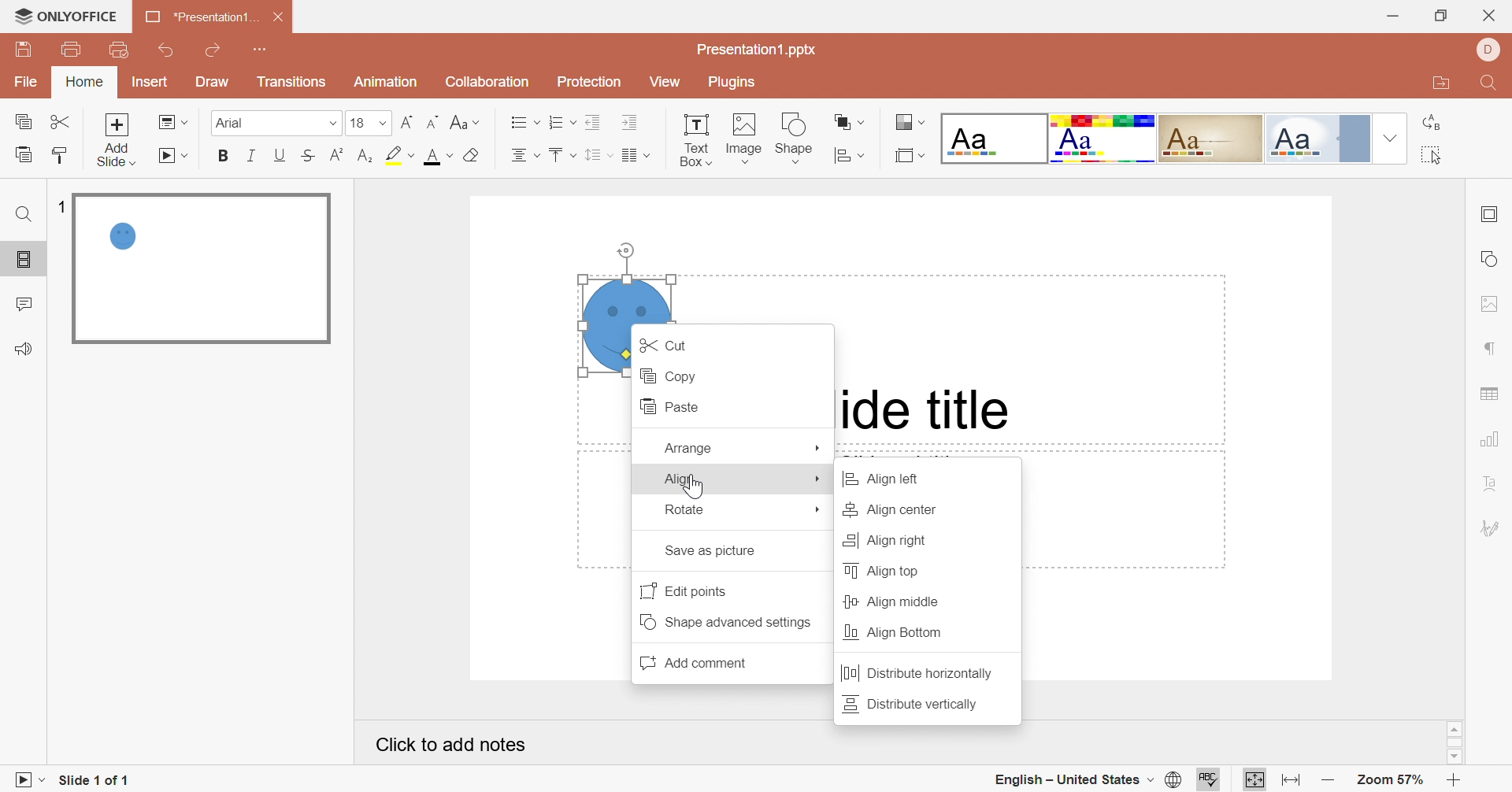  Describe the element at coordinates (521, 121) in the screenshot. I see `Bullets` at that location.